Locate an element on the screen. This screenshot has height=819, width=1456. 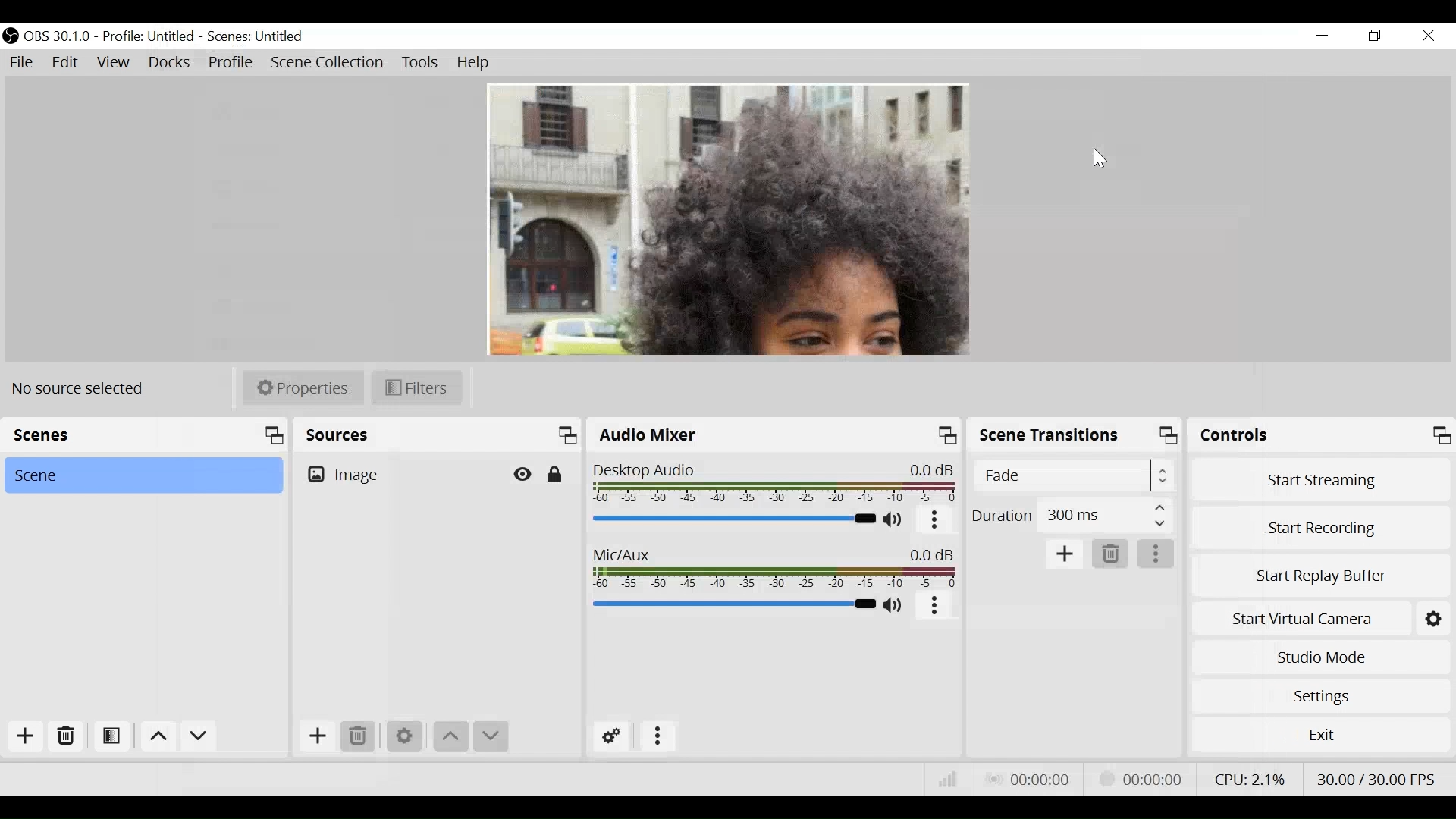
Desktop Audio Slider is located at coordinates (733, 518).